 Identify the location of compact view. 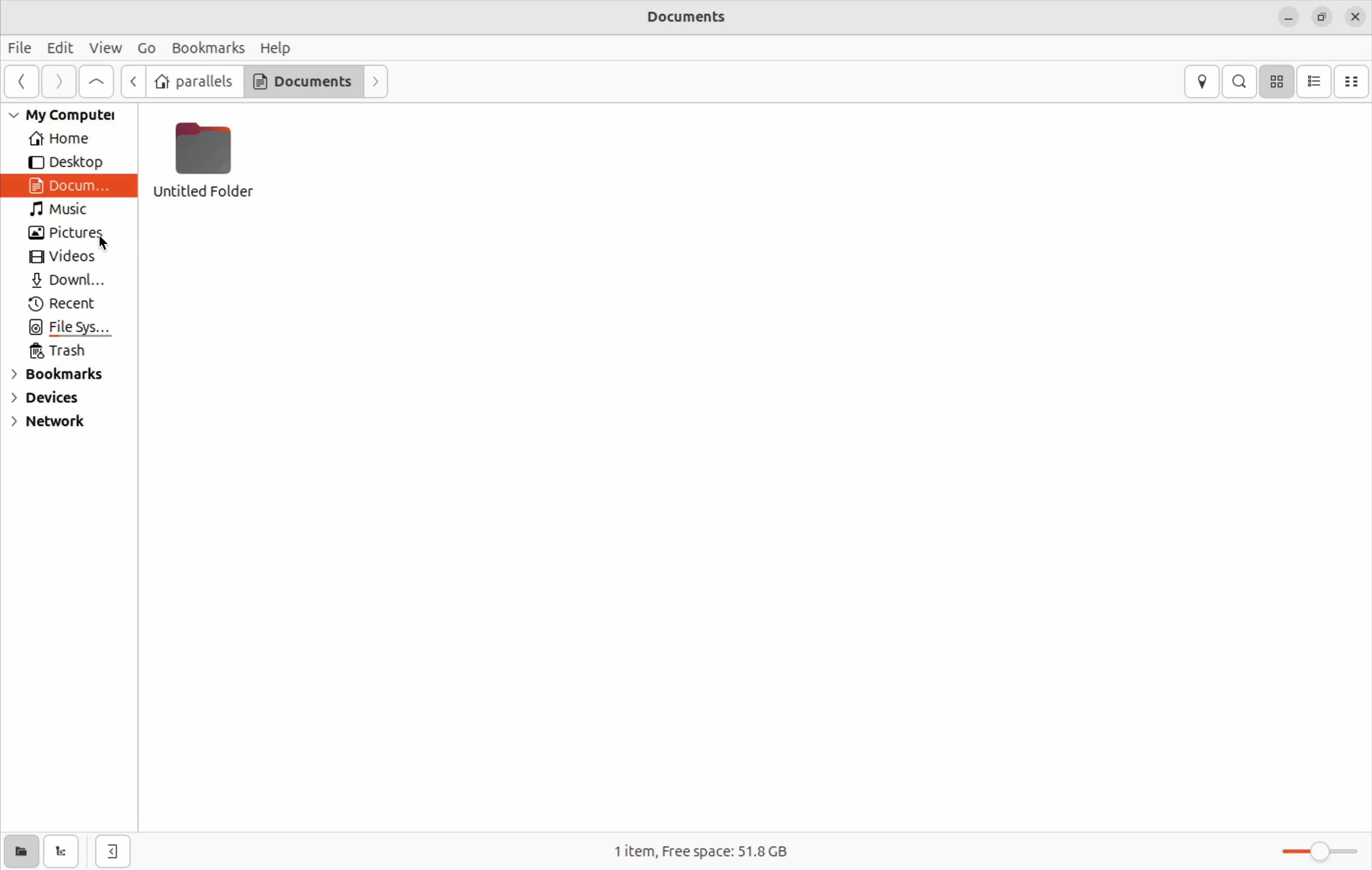
(1354, 80).